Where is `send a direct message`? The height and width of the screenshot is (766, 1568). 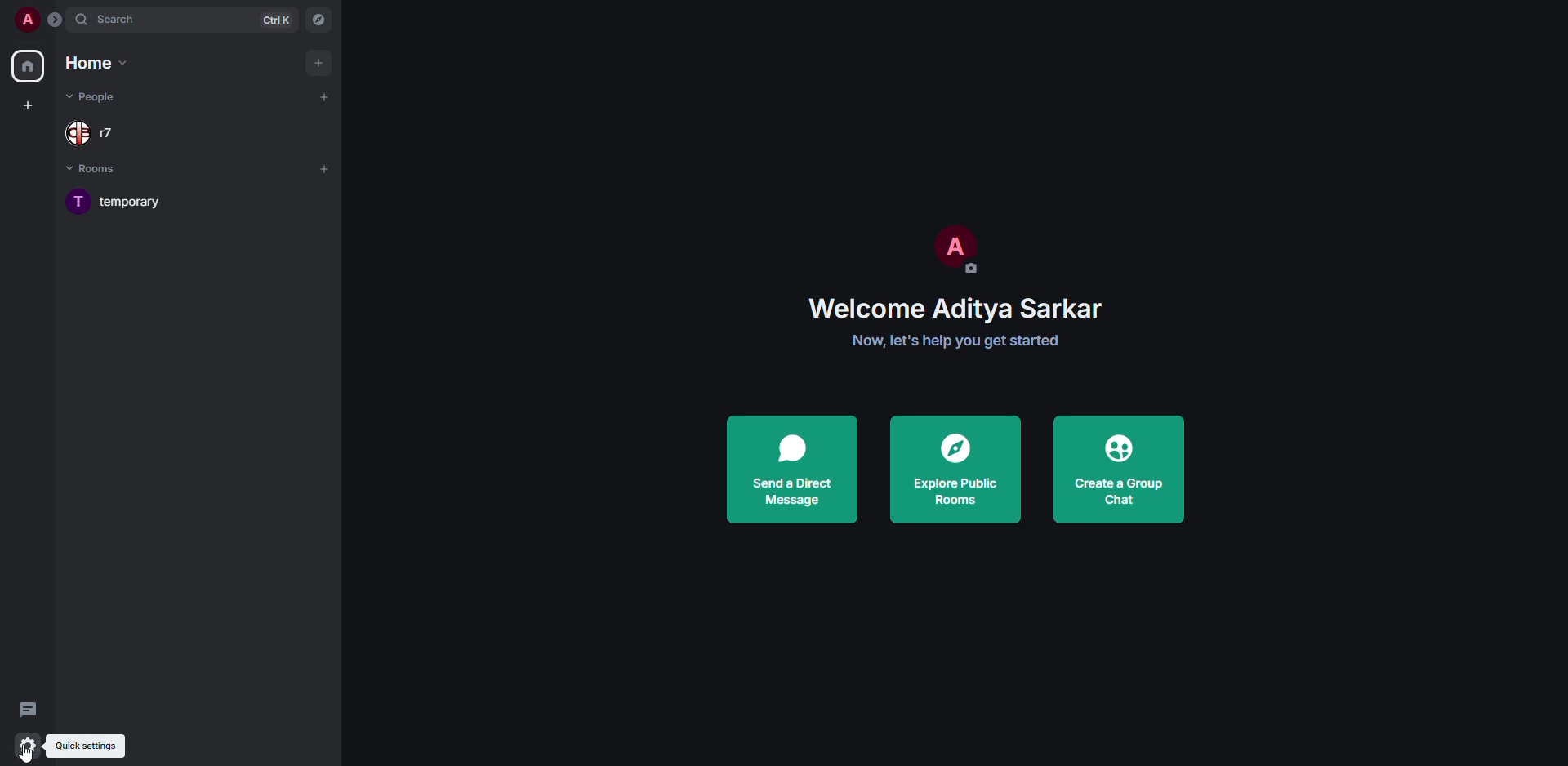
send a direct message is located at coordinates (794, 470).